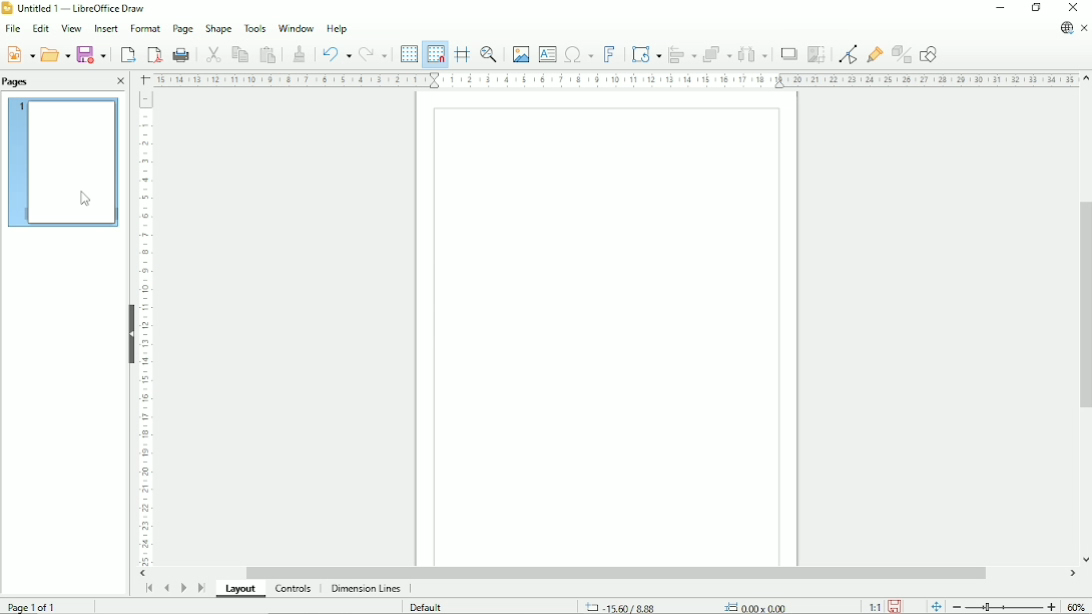  Describe the element at coordinates (126, 54) in the screenshot. I see `Export` at that location.